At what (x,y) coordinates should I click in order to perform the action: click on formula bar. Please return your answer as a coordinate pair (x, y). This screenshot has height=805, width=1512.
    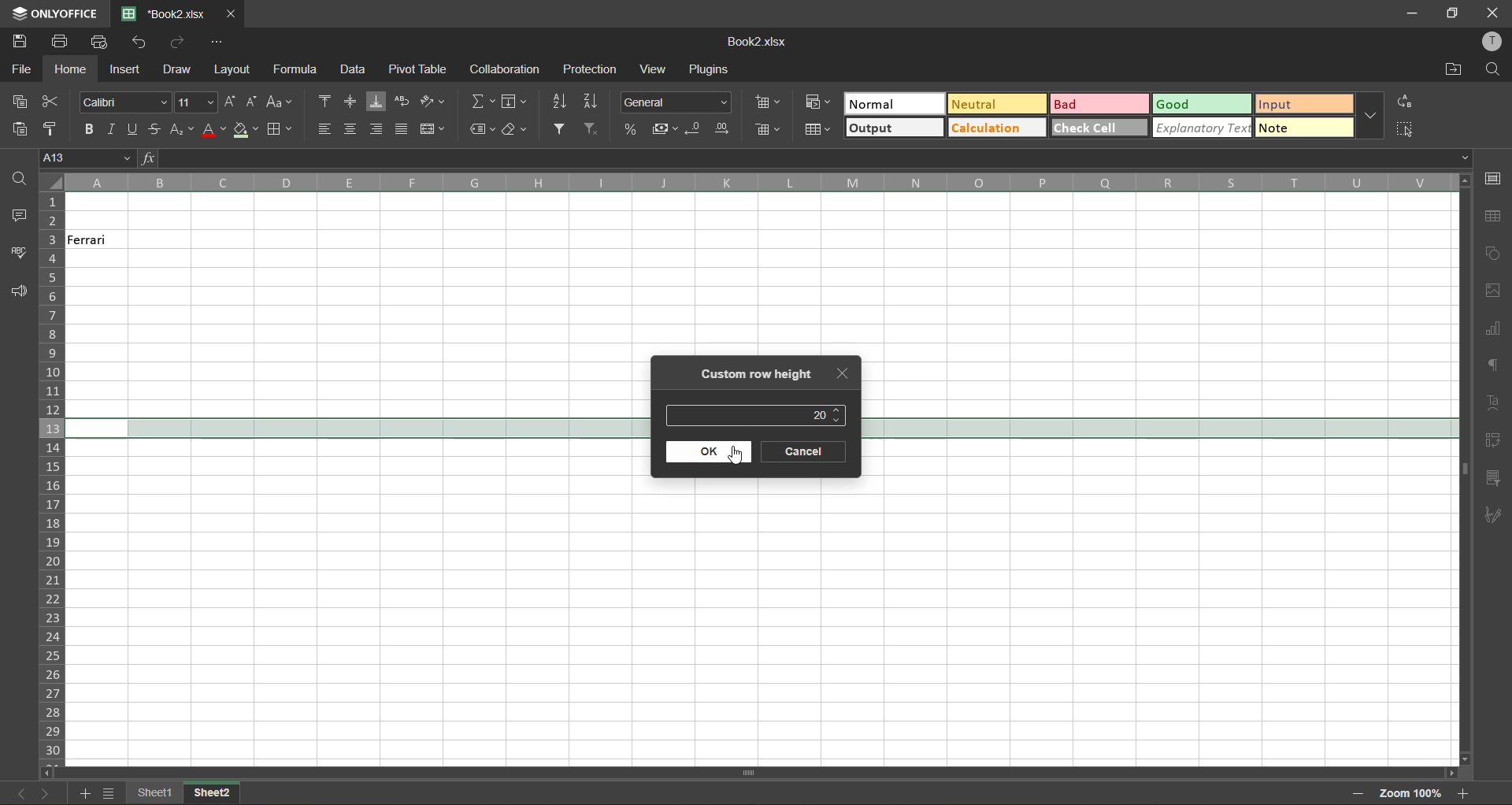
    Looking at the image, I should click on (804, 157).